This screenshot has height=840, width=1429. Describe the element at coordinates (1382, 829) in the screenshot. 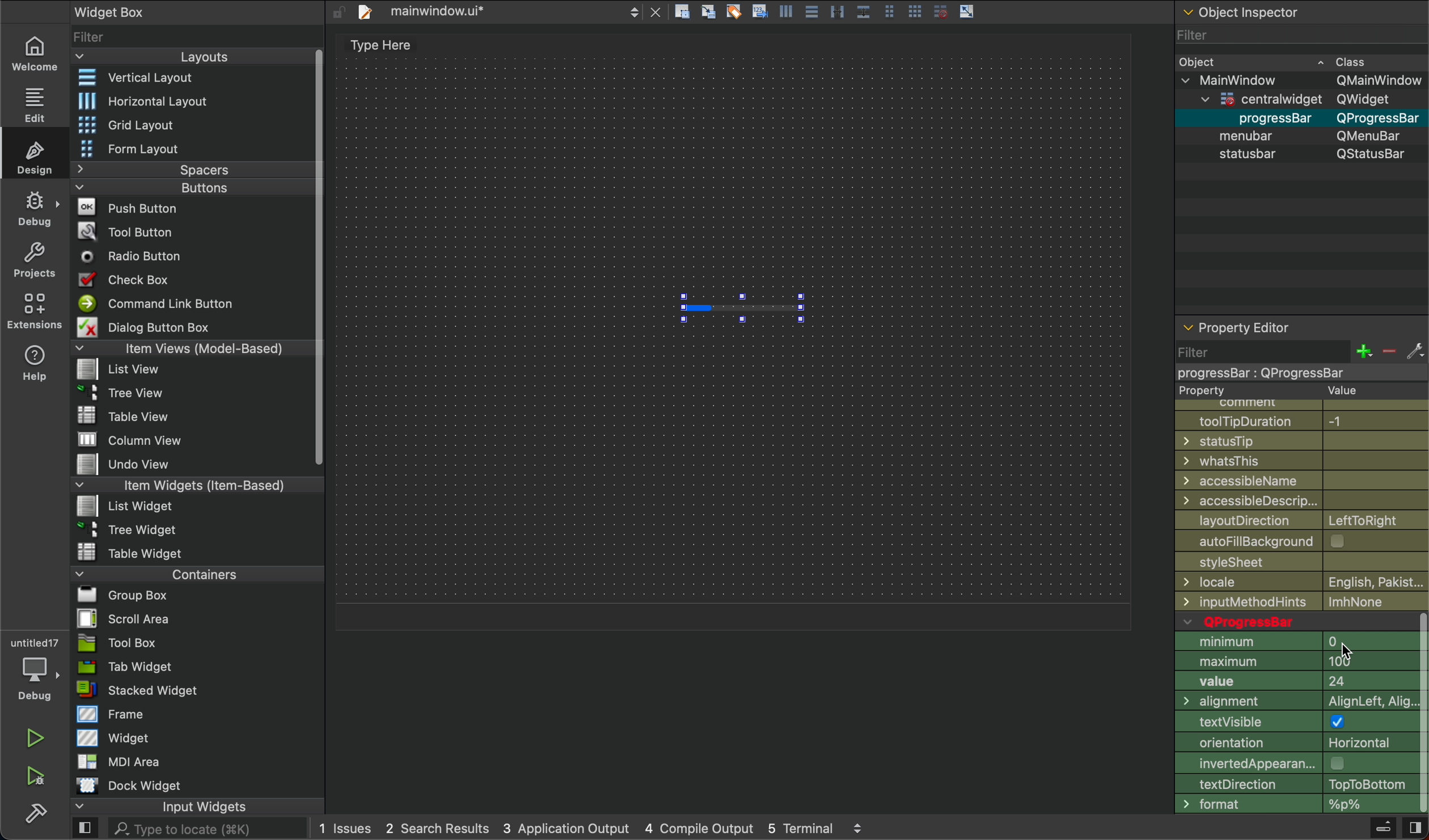

I see `Build` at that location.